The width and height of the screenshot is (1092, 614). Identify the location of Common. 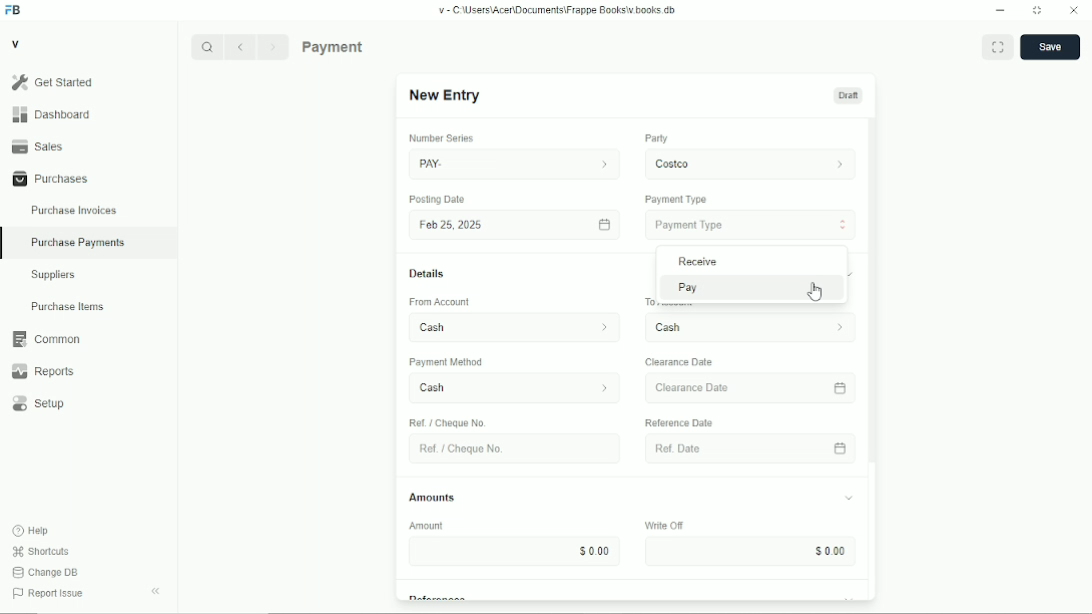
(89, 339).